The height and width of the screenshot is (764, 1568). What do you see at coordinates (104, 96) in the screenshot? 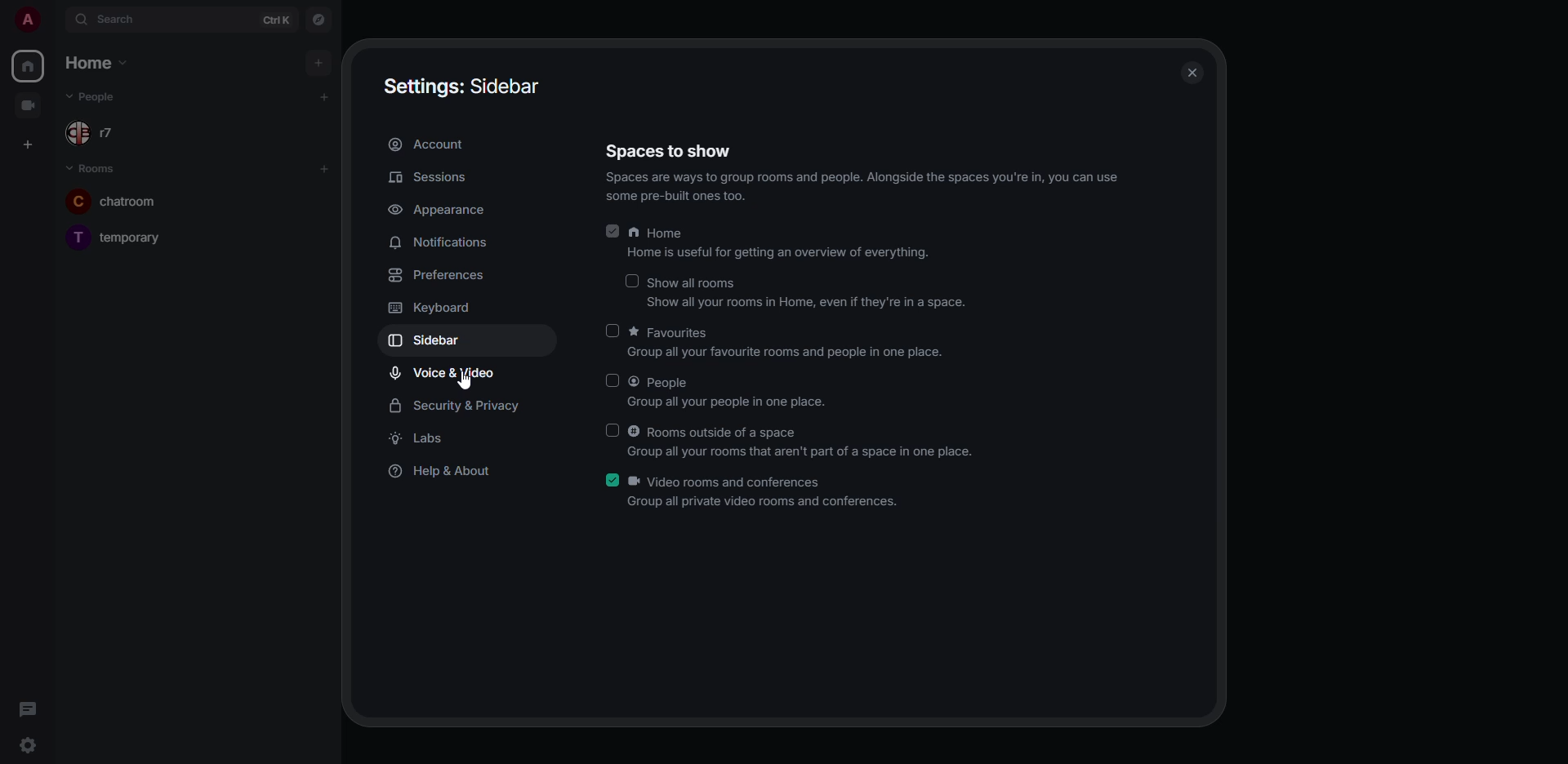
I see `people` at bounding box center [104, 96].